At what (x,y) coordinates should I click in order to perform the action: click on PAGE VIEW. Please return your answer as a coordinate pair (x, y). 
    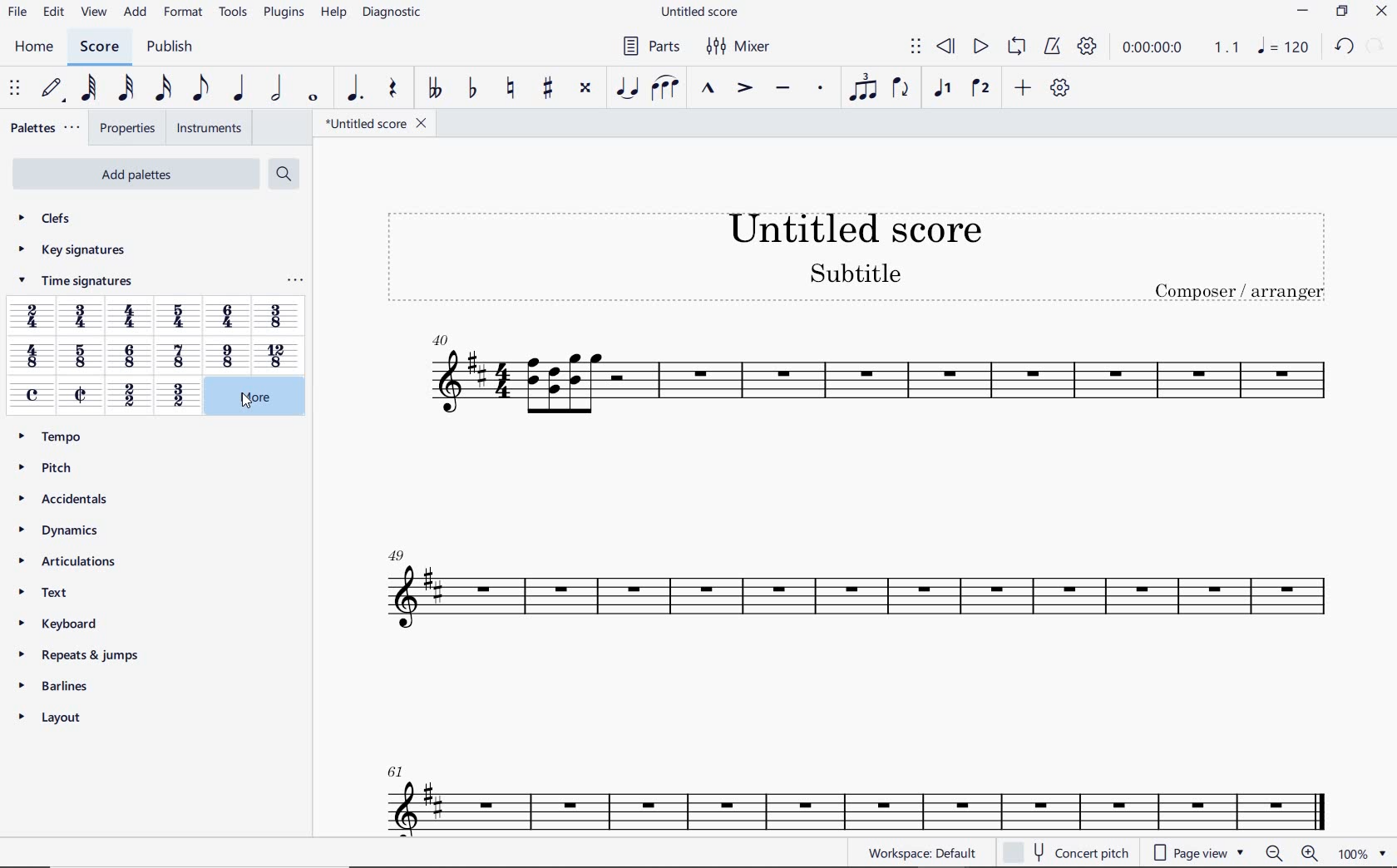
    Looking at the image, I should click on (1196, 854).